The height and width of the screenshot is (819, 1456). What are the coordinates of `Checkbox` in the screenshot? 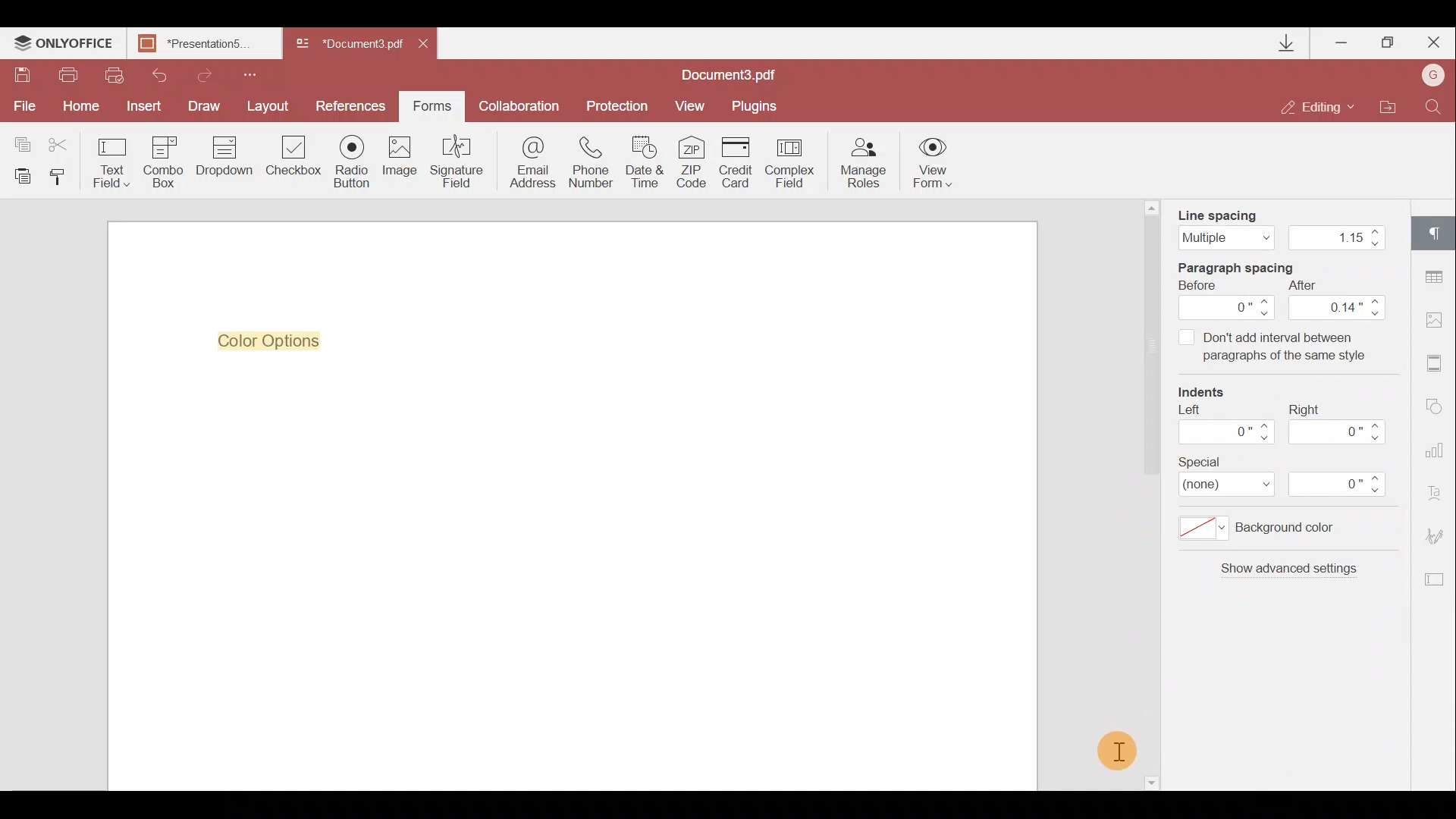 It's located at (294, 157).